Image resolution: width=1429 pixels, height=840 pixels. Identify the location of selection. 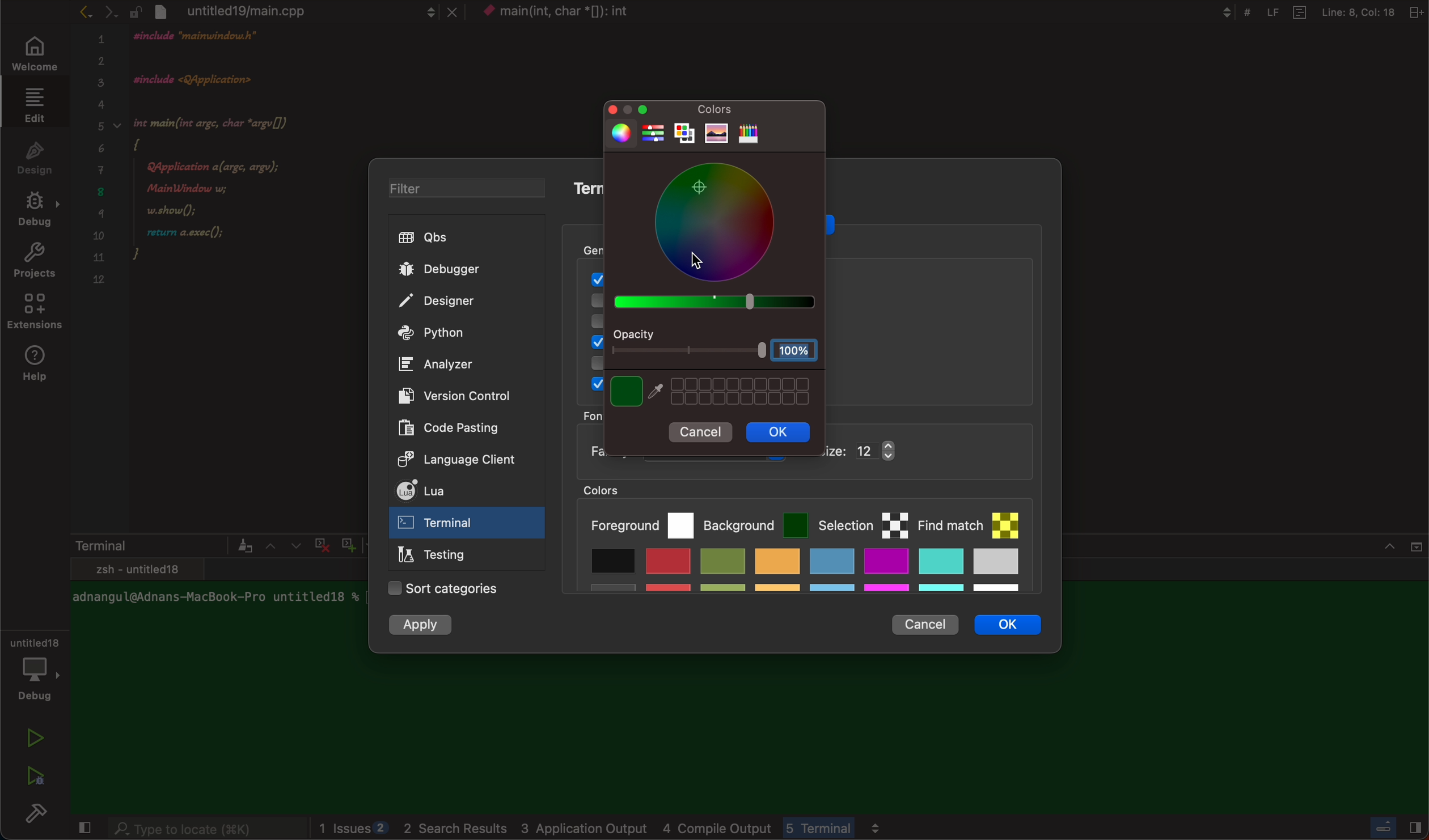
(863, 523).